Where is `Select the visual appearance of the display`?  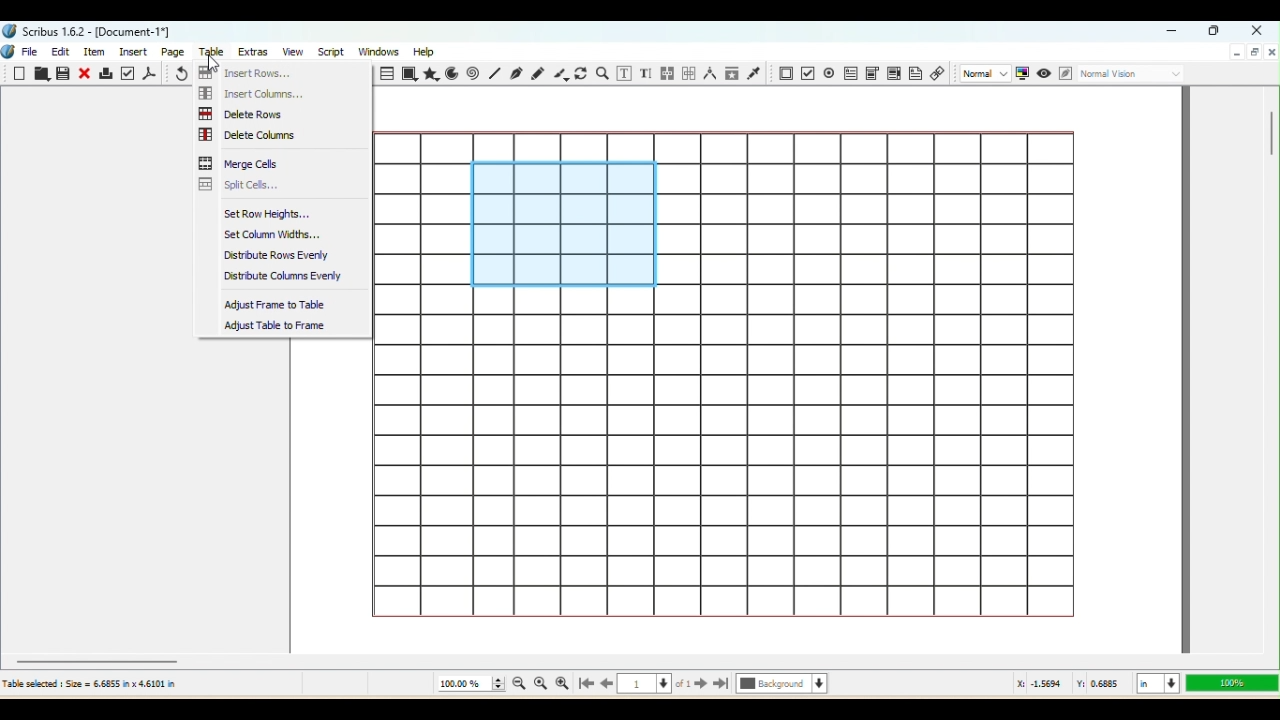 Select the visual appearance of the display is located at coordinates (1133, 75).